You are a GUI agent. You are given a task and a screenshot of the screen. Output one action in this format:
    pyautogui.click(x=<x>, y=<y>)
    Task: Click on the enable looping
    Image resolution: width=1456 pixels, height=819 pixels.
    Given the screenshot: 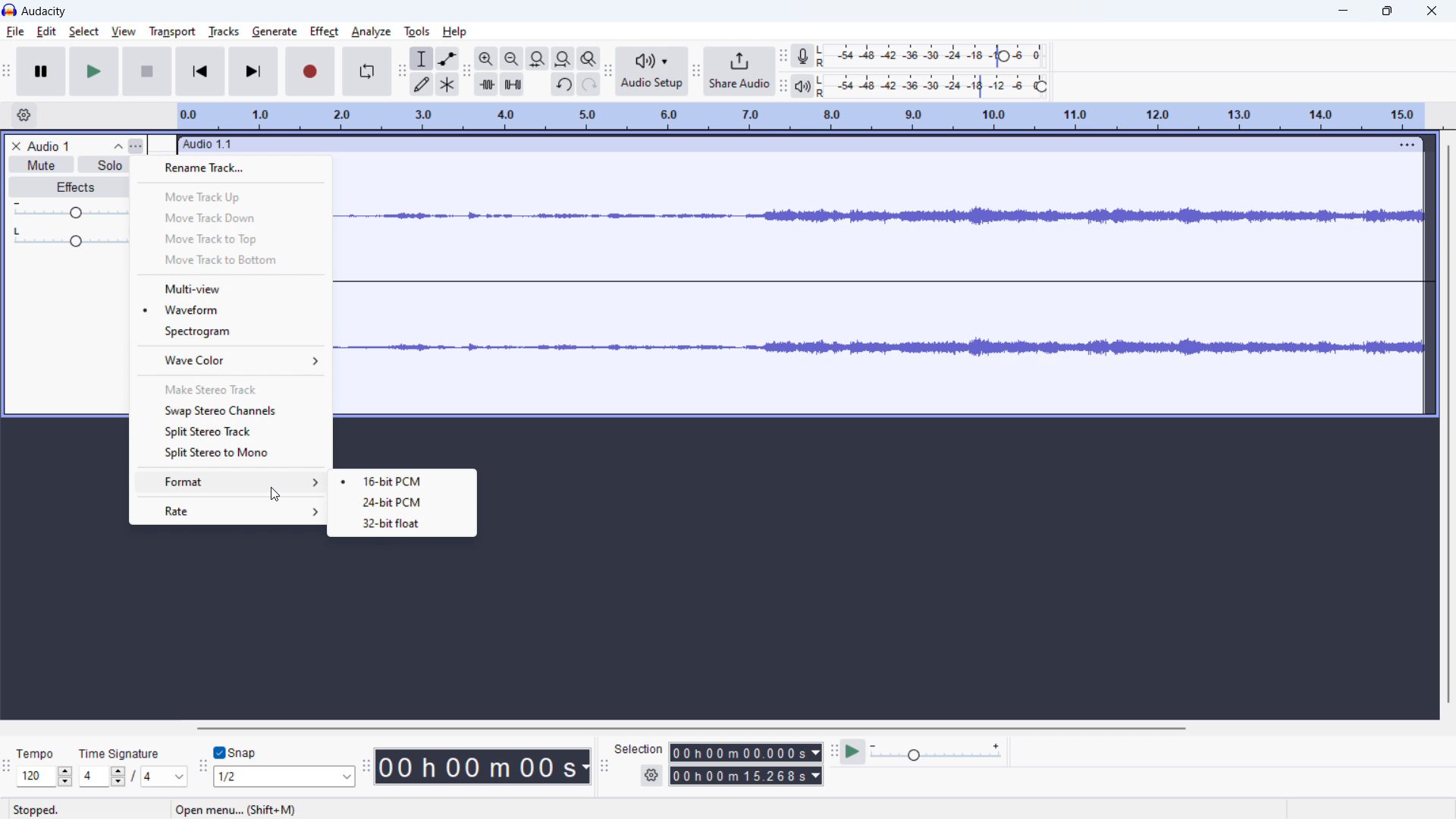 What is the action you would take?
    pyautogui.click(x=366, y=71)
    